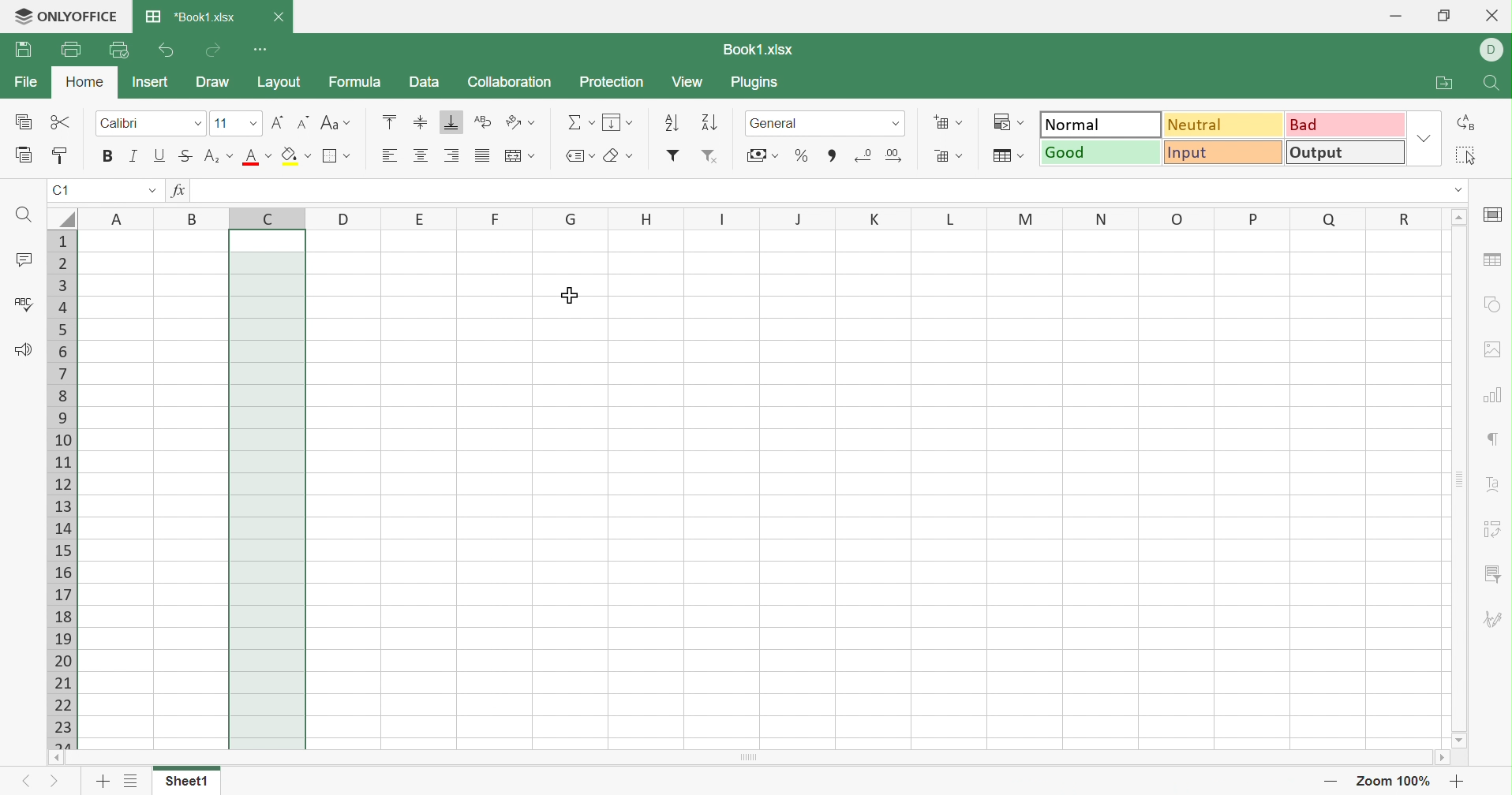 This screenshot has height=795, width=1512. What do you see at coordinates (631, 124) in the screenshot?
I see `Drop Down` at bounding box center [631, 124].